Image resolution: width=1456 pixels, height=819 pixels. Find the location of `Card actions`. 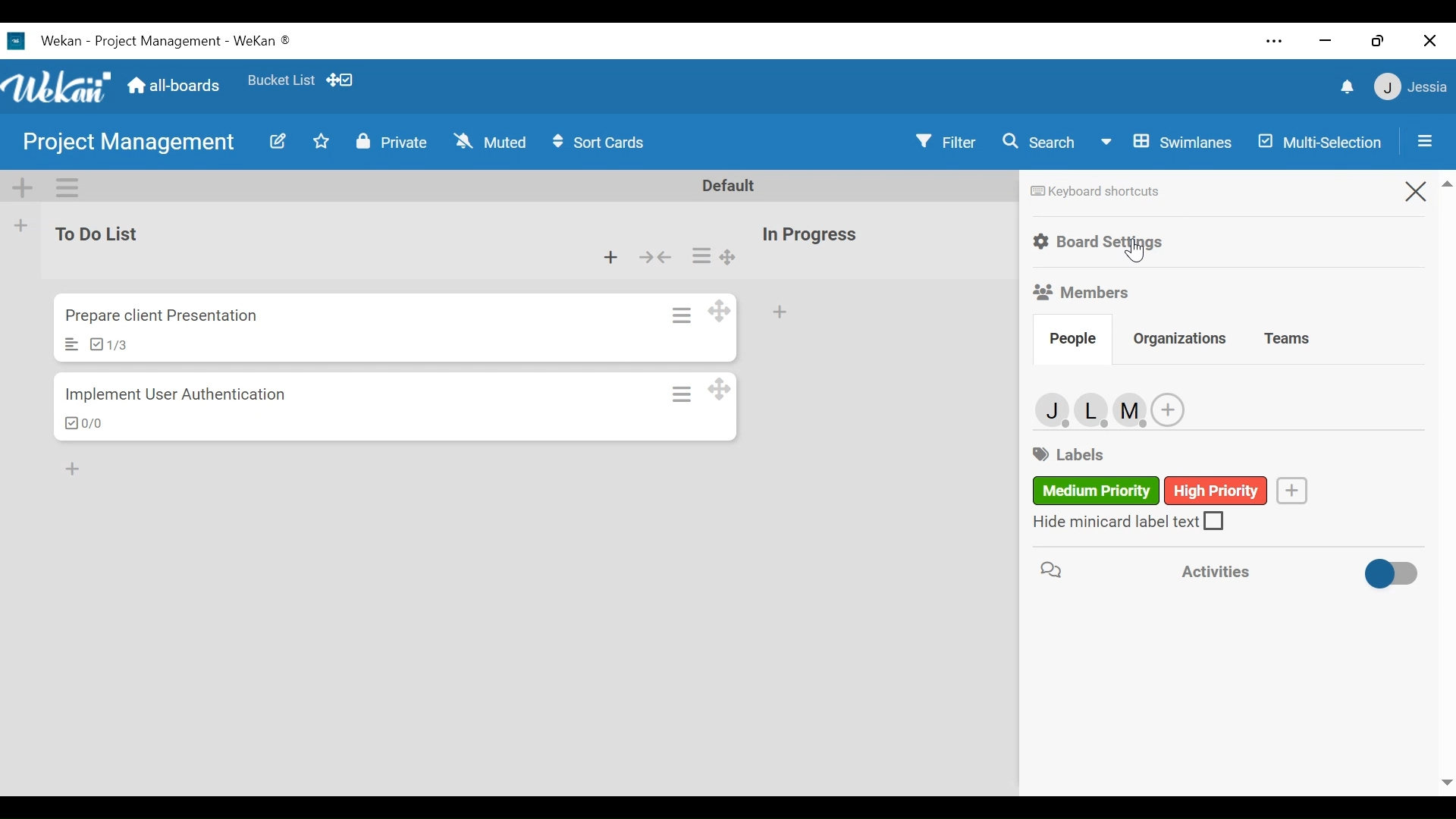

Card actions is located at coordinates (683, 394).